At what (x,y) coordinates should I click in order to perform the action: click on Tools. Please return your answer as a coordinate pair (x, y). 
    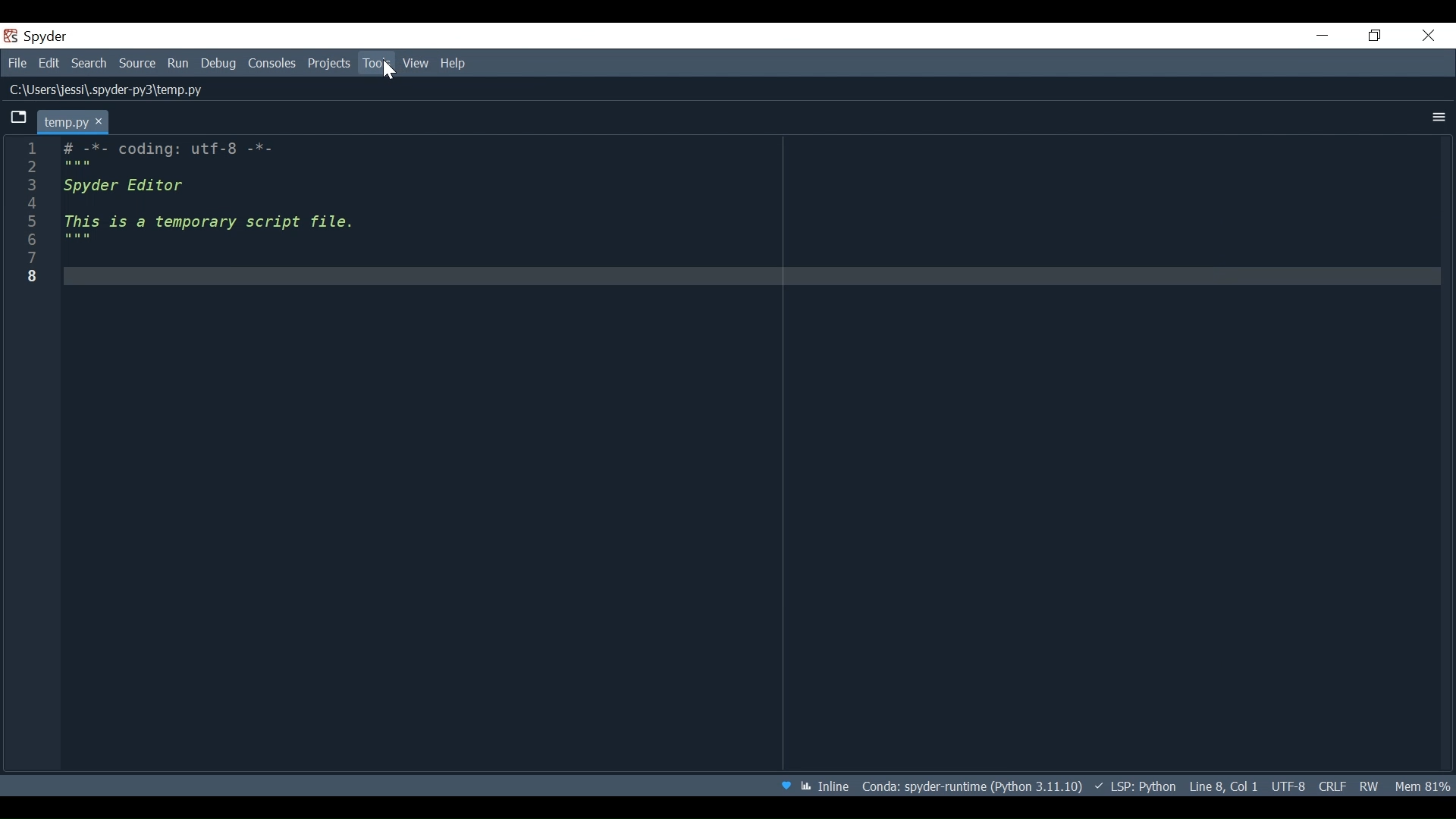
    Looking at the image, I should click on (376, 63).